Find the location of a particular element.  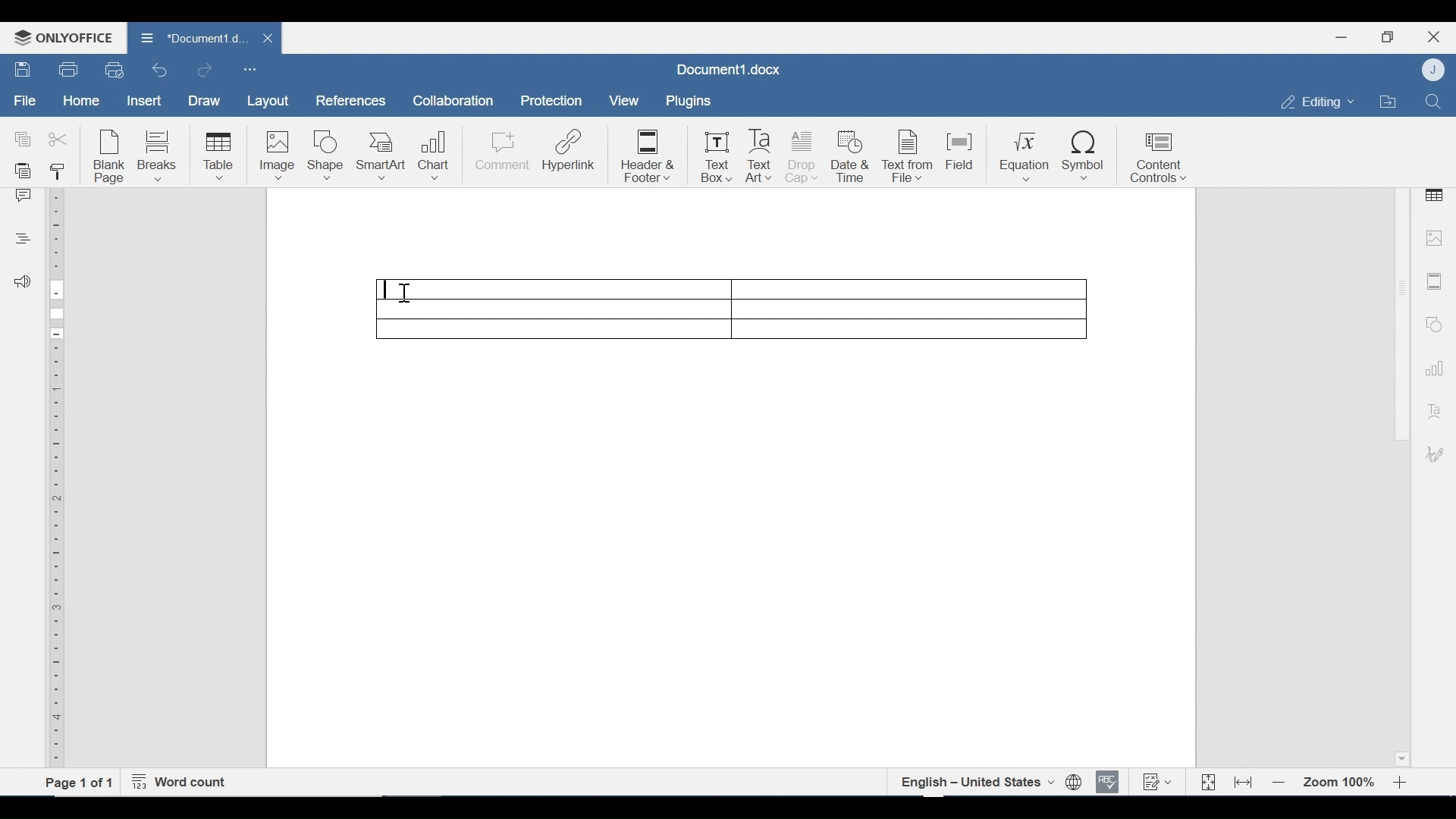

Editing is located at coordinates (1313, 102).